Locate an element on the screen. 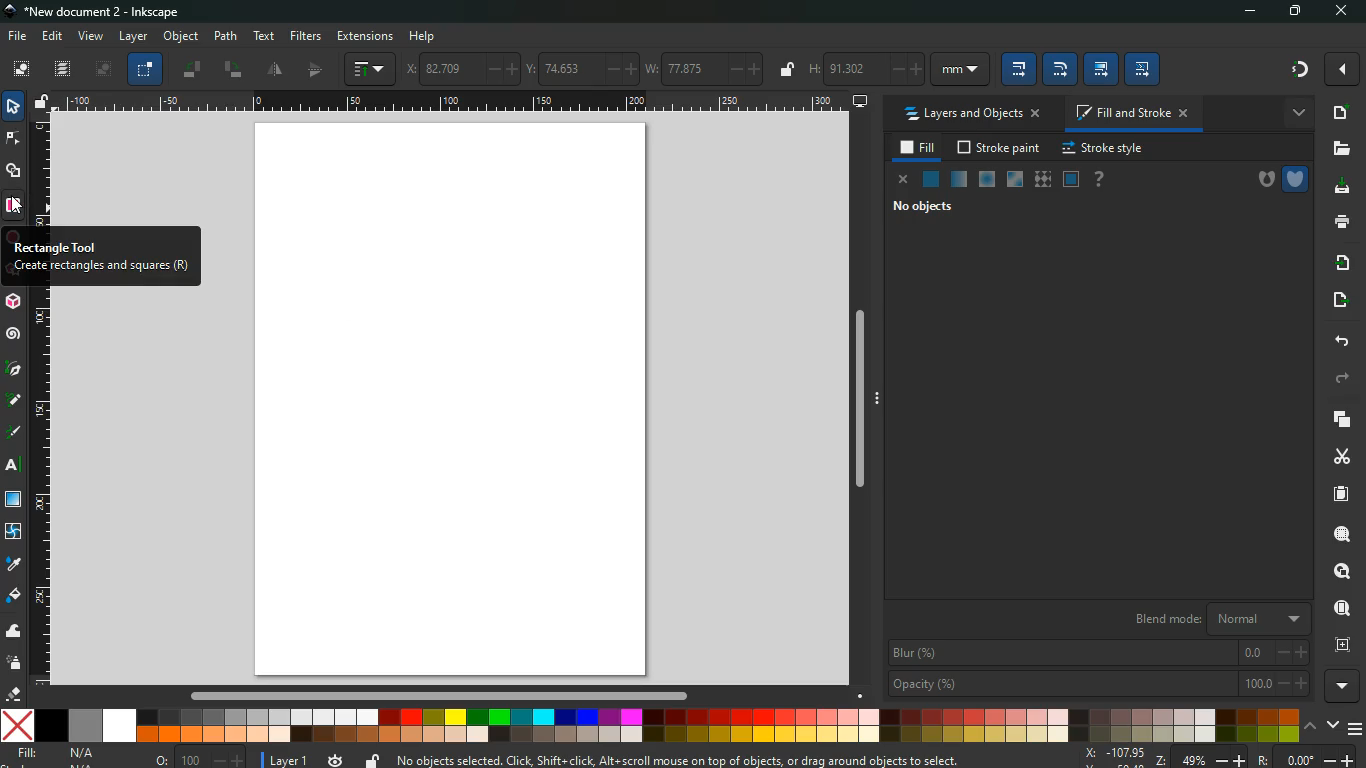  tilt is located at coordinates (192, 71).